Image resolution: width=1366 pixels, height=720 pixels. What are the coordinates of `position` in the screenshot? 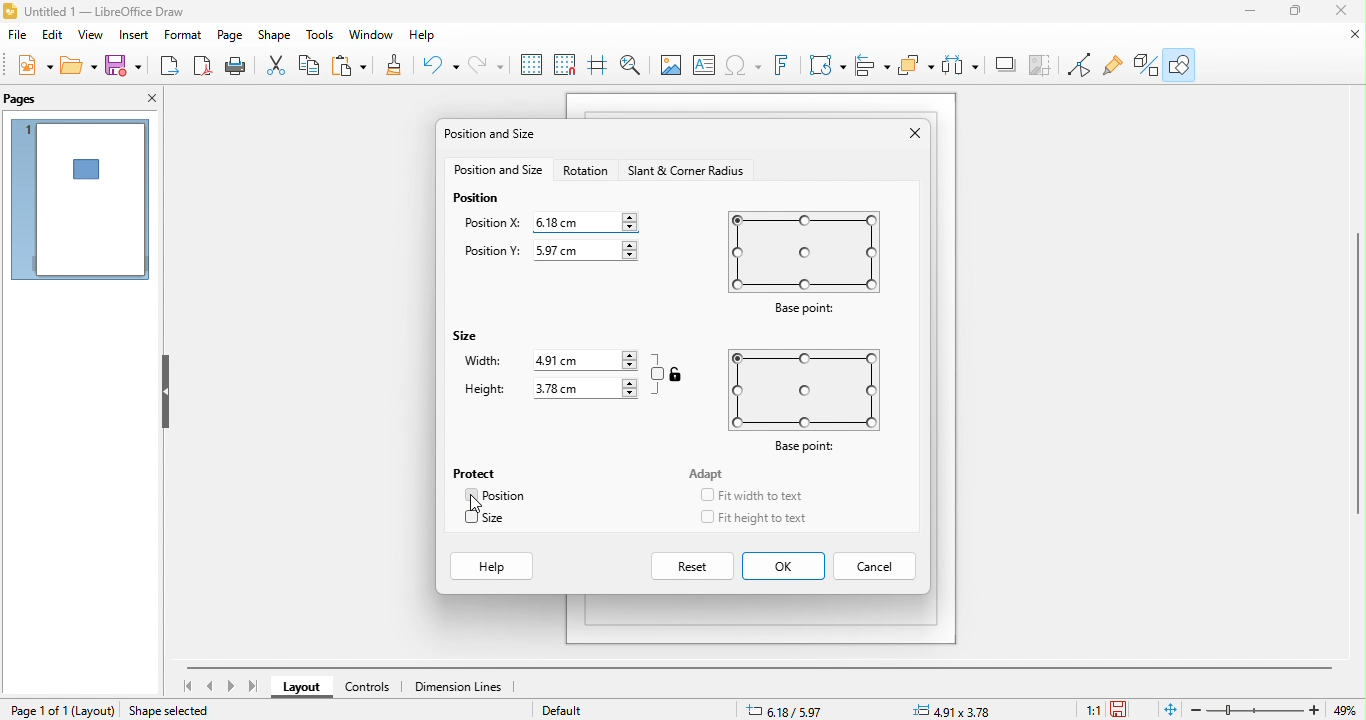 It's located at (505, 496).